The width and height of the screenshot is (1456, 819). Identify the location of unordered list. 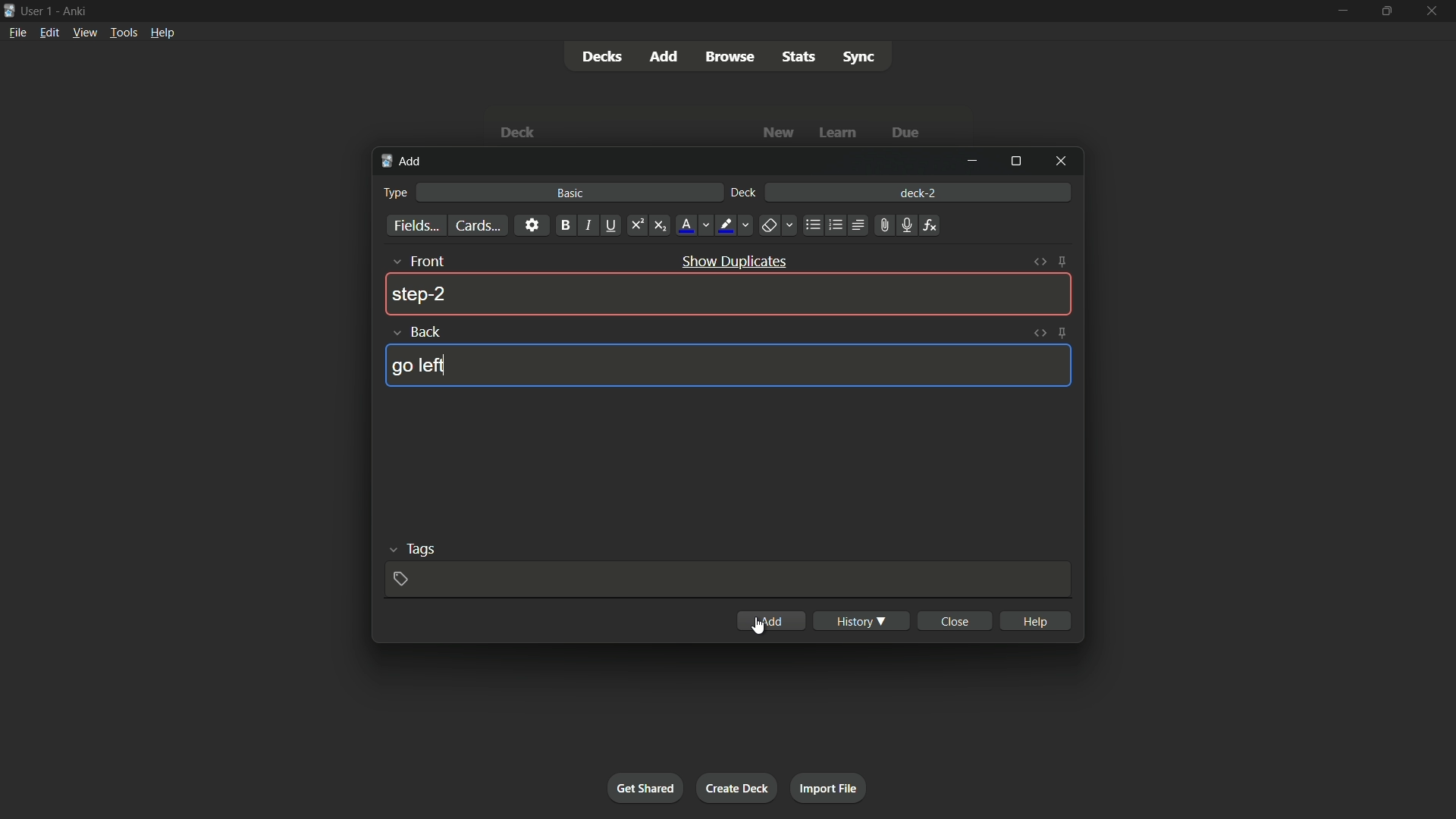
(812, 224).